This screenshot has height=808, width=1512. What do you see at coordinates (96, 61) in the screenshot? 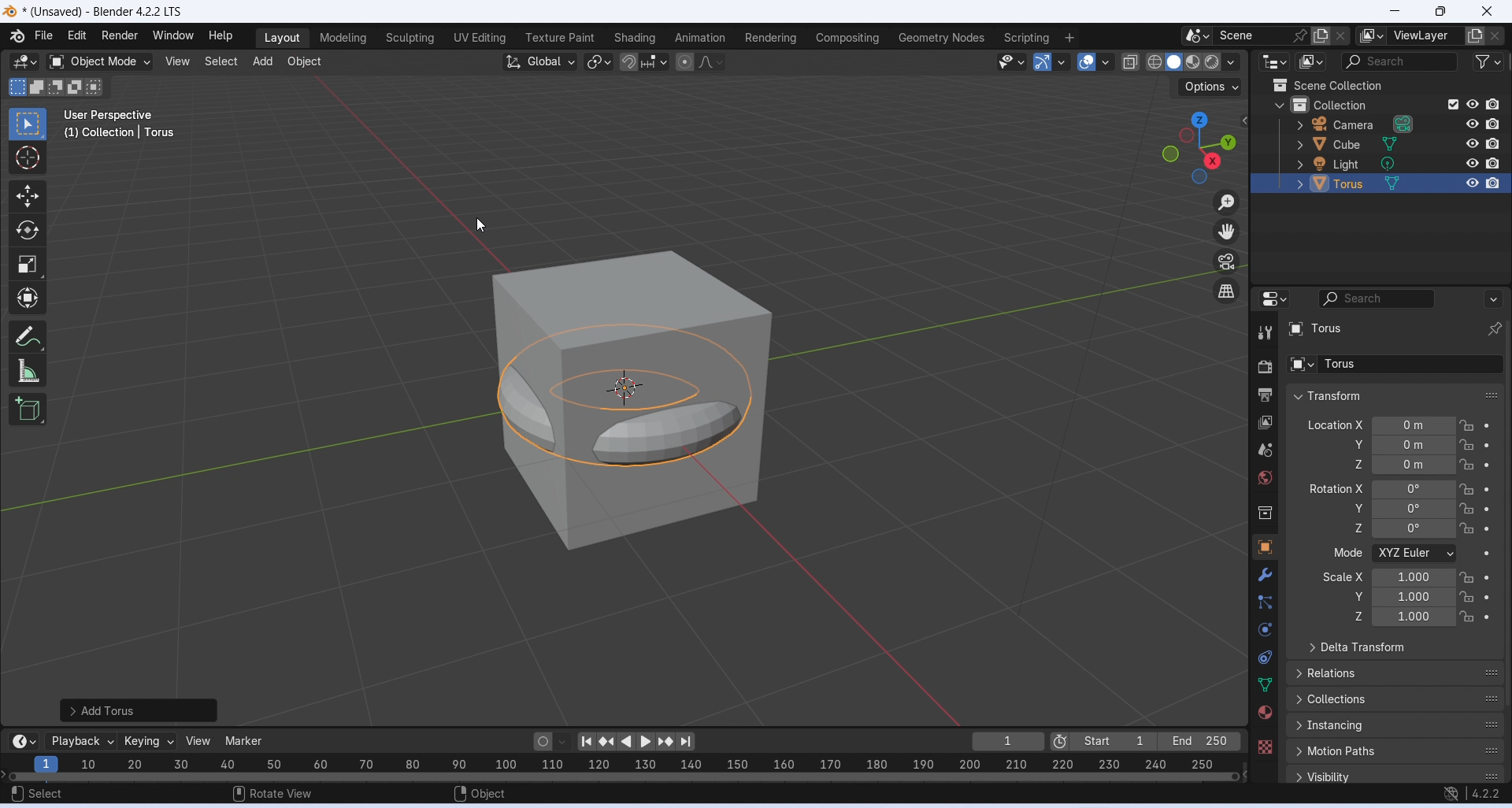
I see `Object mode` at bounding box center [96, 61].